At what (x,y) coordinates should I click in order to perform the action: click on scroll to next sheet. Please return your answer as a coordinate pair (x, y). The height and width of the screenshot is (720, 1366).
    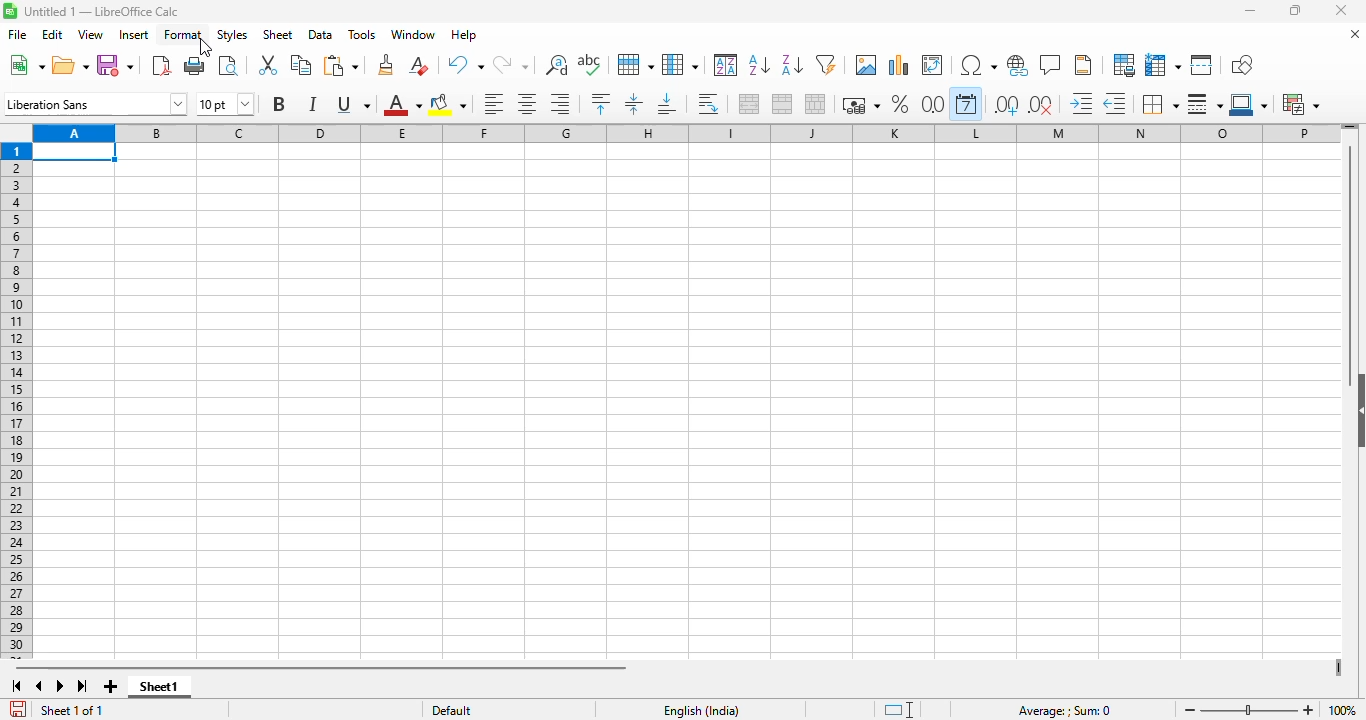
    Looking at the image, I should click on (60, 686).